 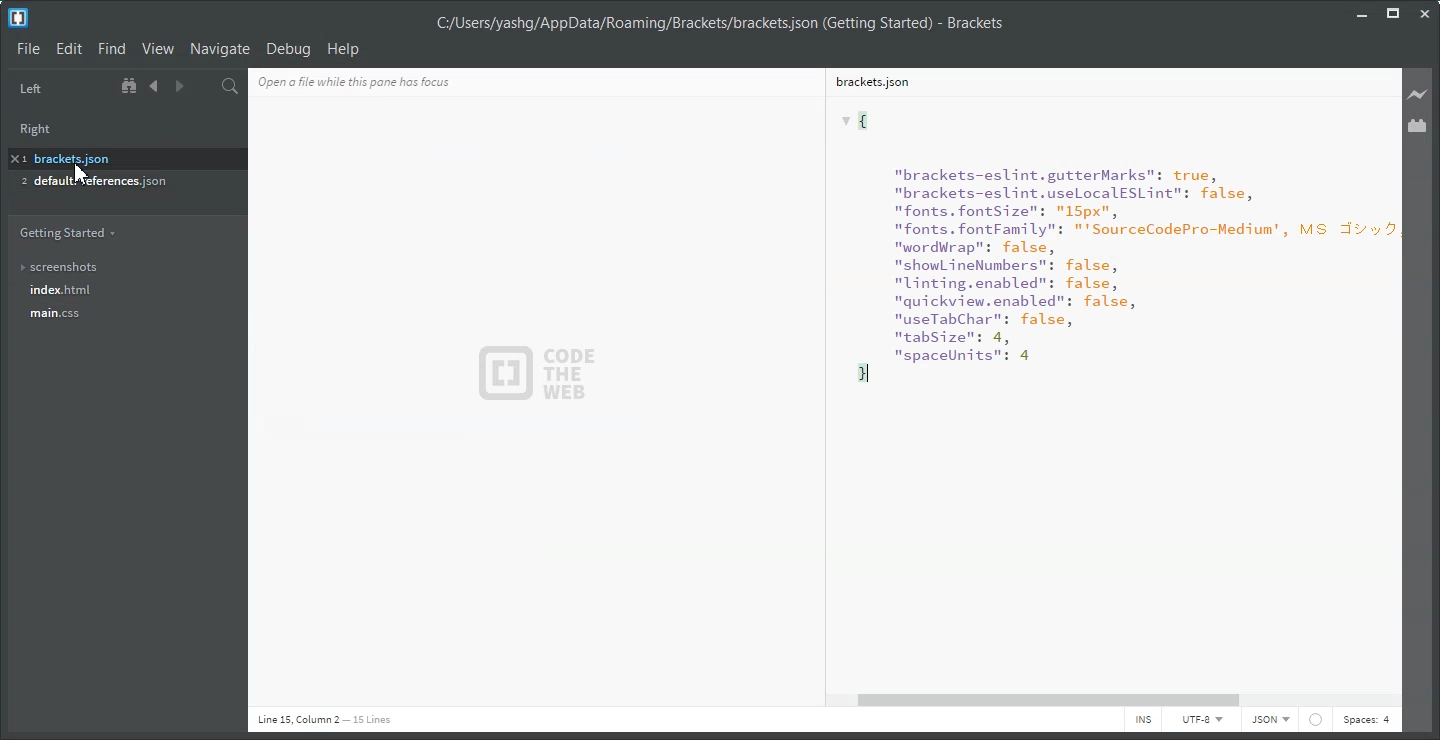 What do you see at coordinates (42, 126) in the screenshot?
I see `Right Panel` at bounding box center [42, 126].